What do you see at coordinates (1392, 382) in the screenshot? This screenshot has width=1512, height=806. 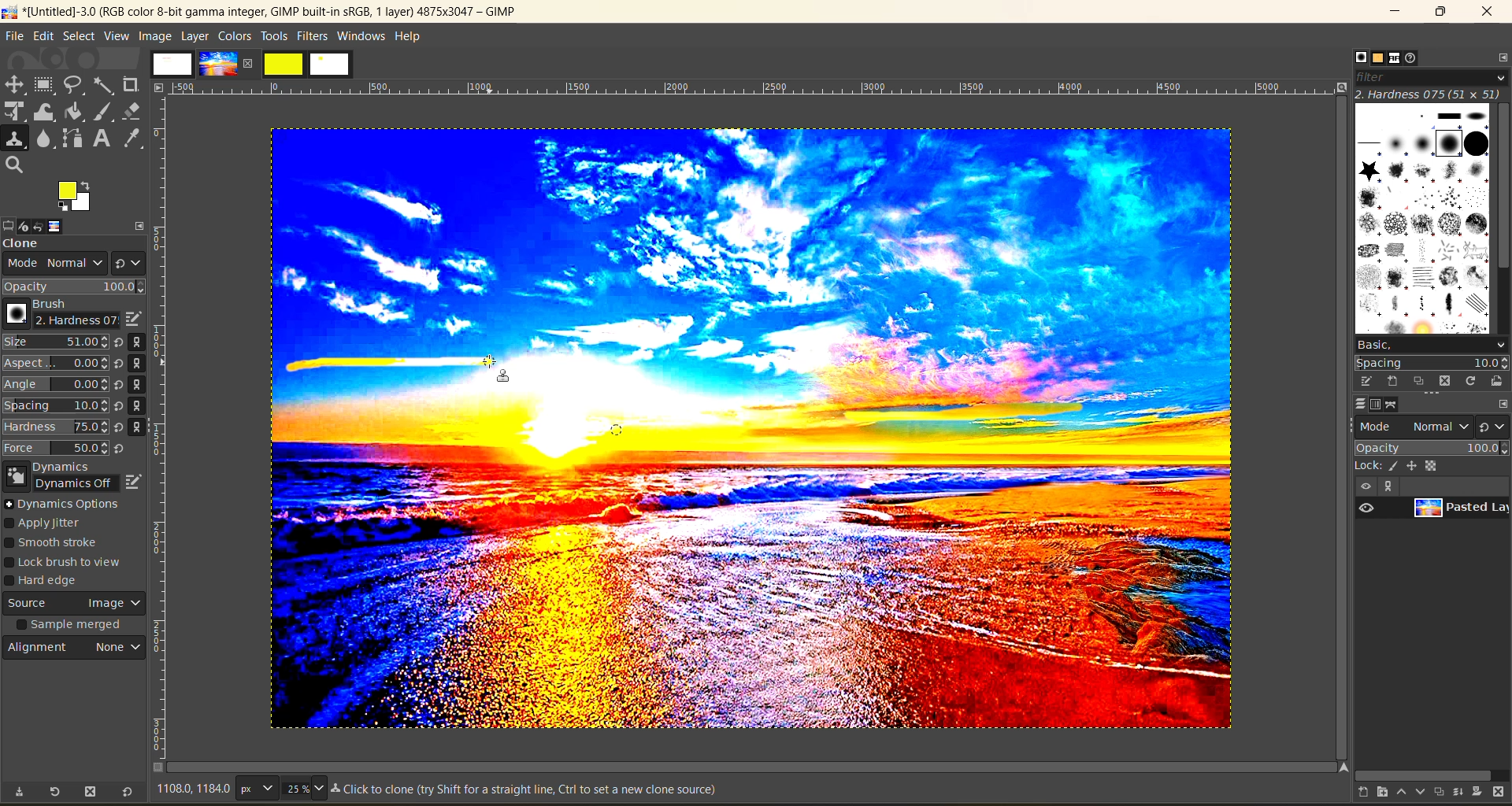 I see `create a new brush` at bounding box center [1392, 382].